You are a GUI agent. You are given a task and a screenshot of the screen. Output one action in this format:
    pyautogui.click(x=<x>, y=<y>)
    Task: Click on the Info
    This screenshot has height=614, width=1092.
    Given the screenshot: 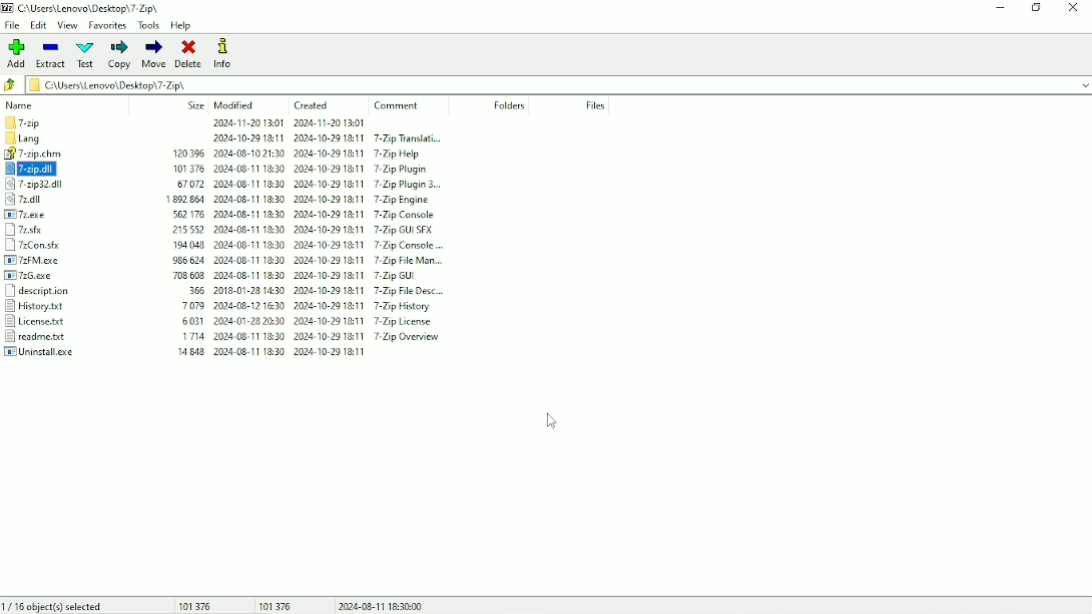 What is the action you would take?
    pyautogui.click(x=225, y=54)
    